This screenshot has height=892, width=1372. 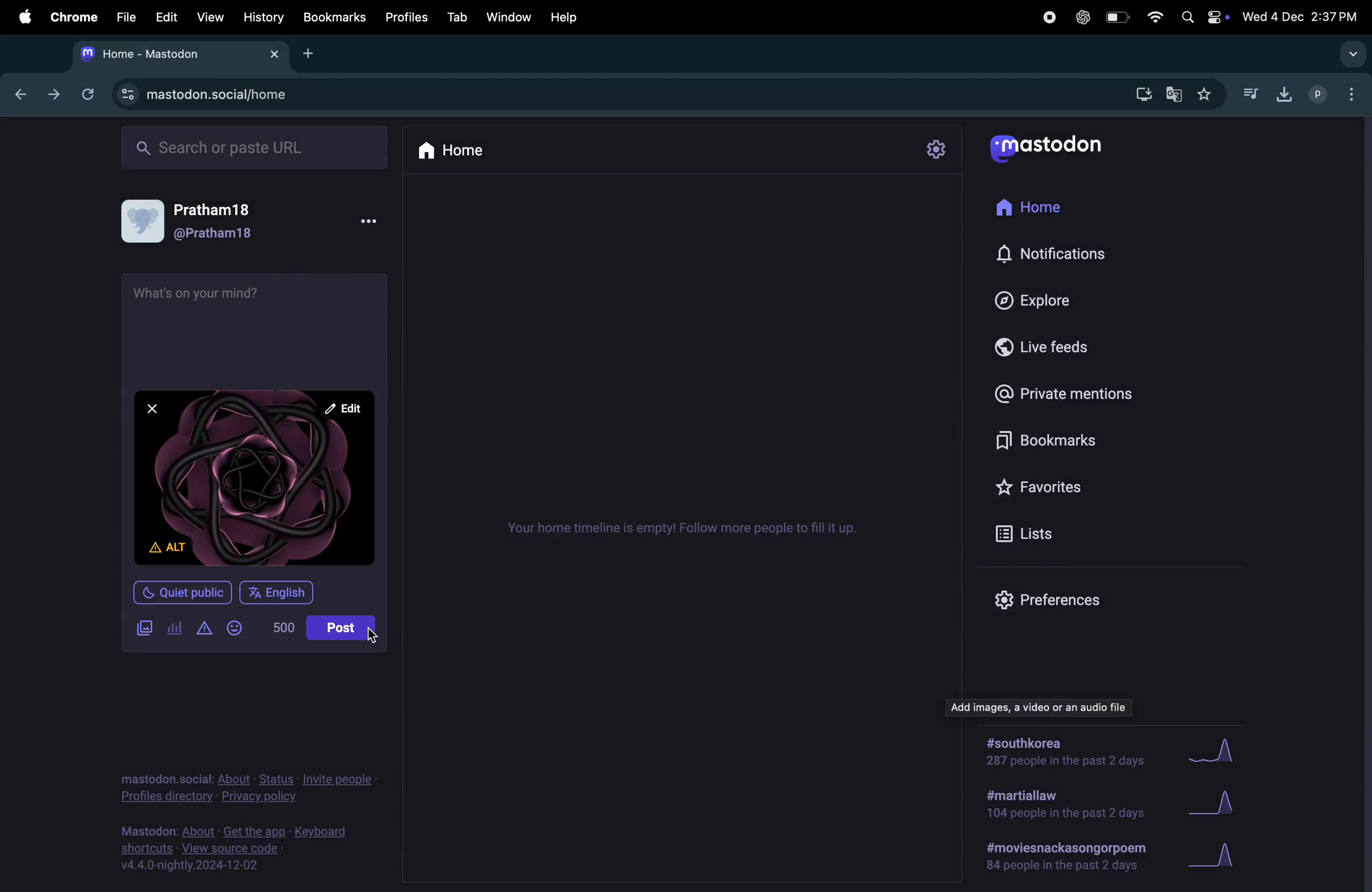 What do you see at coordinates (1281, 93) in the screenshot?
I see `downloads` at bounding box center [1281, 93].